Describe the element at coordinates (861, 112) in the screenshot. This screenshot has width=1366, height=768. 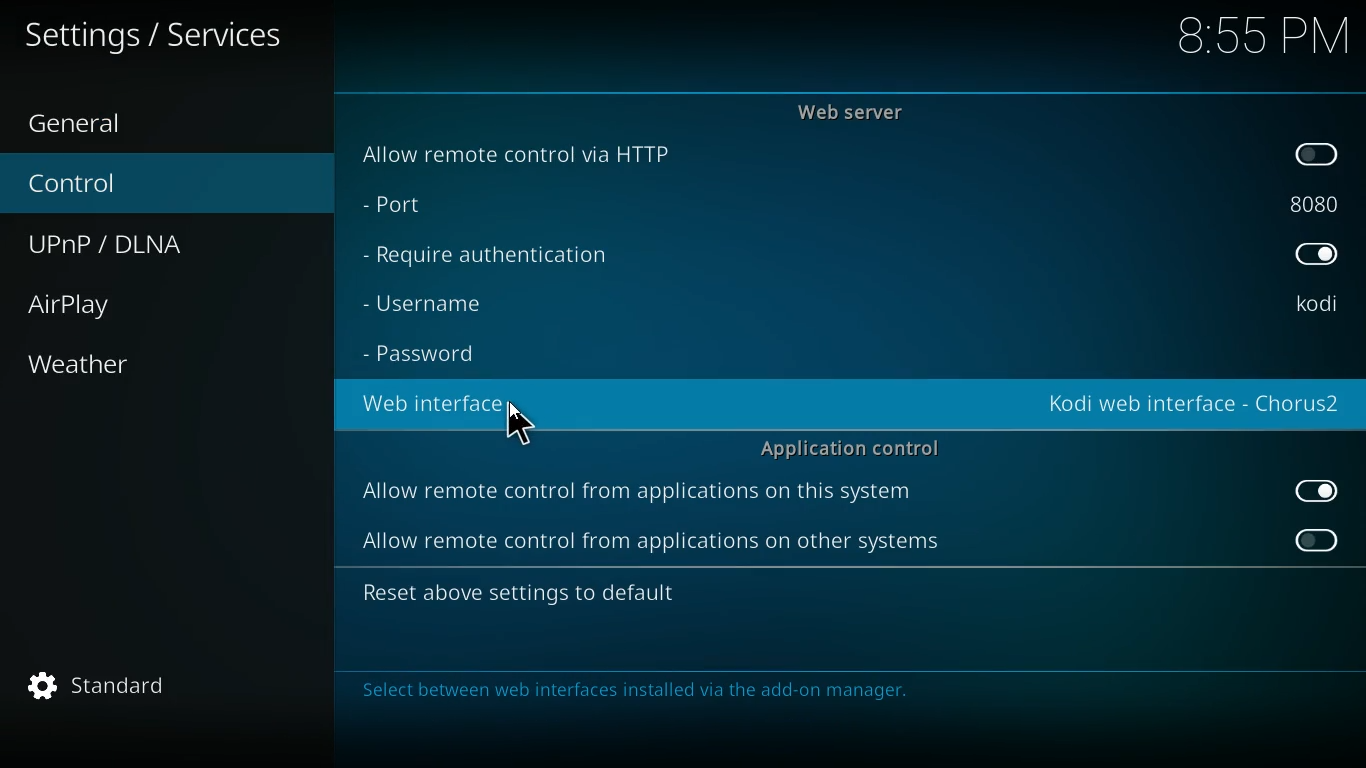
I see `web server` at that location.